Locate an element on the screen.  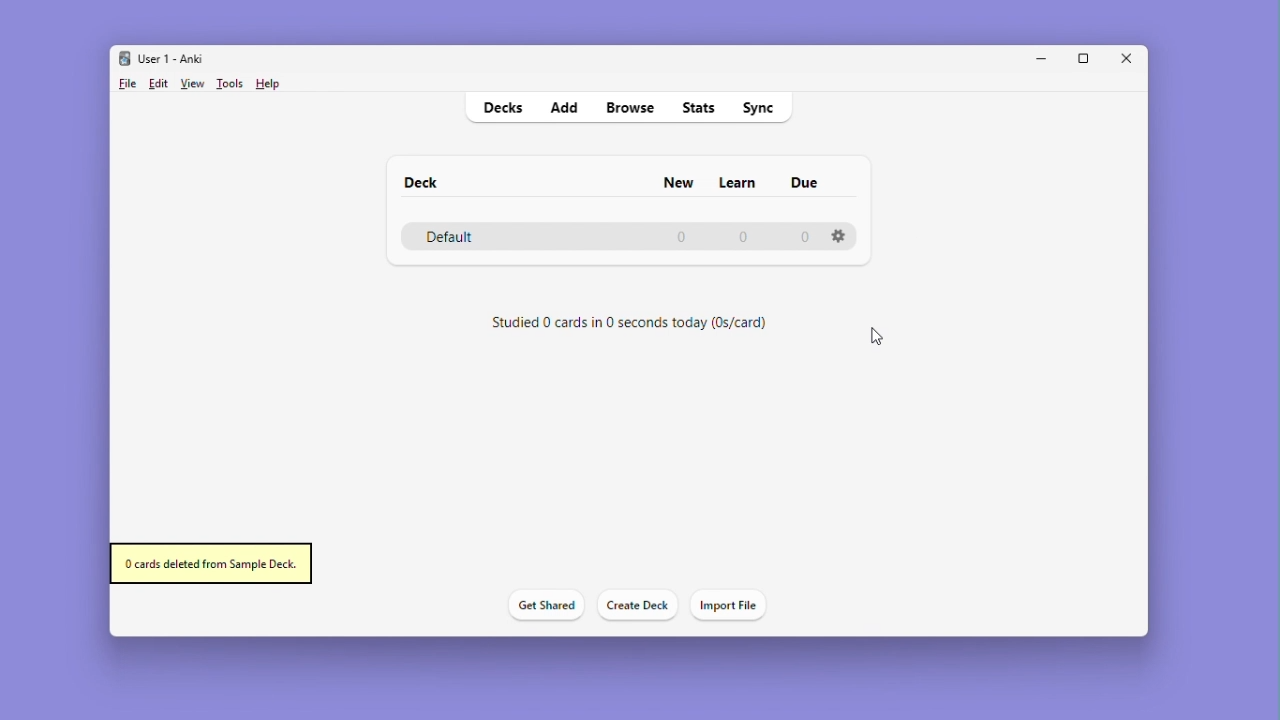
Minimise is located at coordinates (1042, 58).